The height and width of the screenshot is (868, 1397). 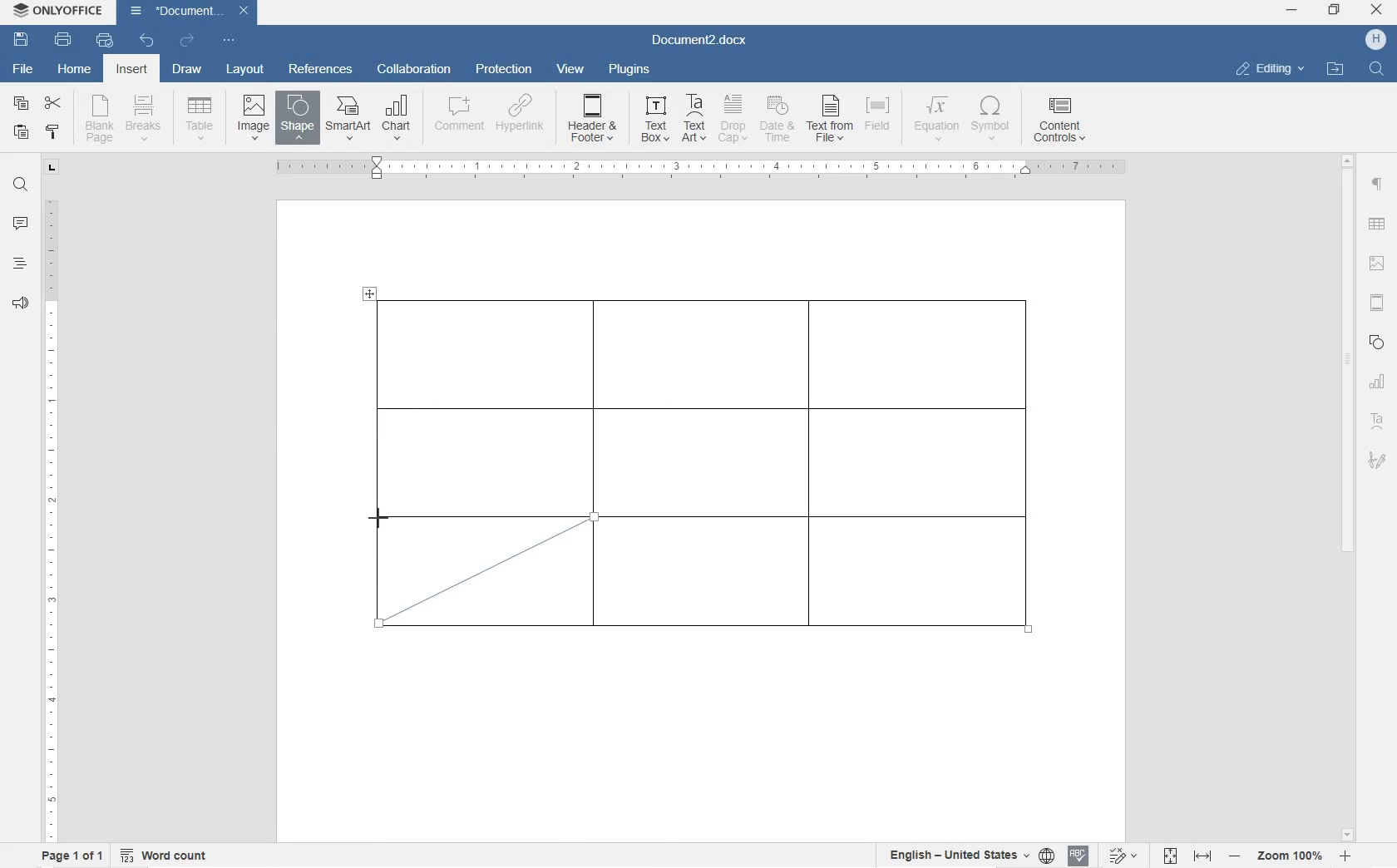 What do you see at coordinates (704, 42) in the screenshot?
I see `Document3.docx` at bounding box center [704, 42].